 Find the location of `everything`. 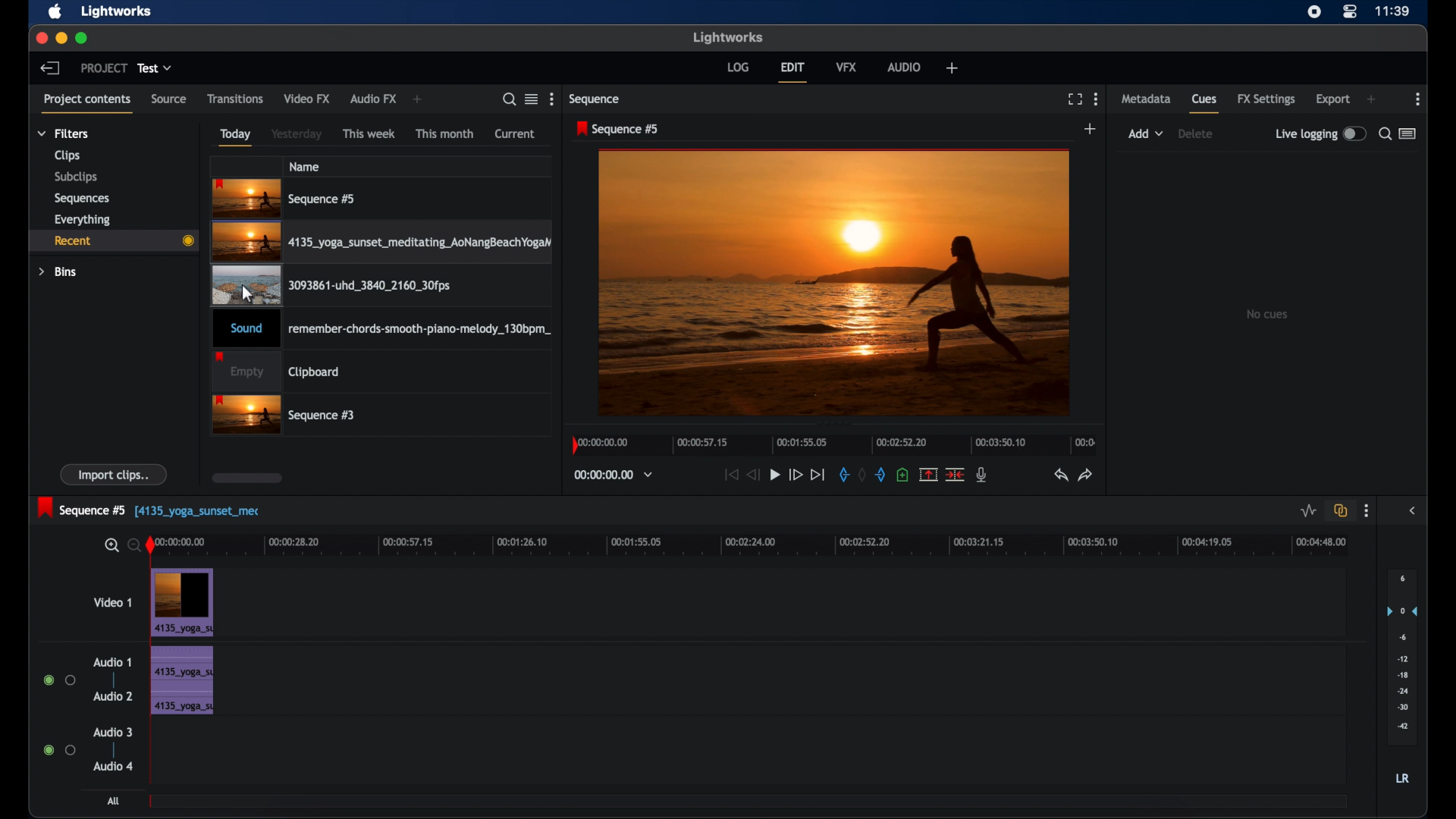

everything is located at coordinates (83, 220).